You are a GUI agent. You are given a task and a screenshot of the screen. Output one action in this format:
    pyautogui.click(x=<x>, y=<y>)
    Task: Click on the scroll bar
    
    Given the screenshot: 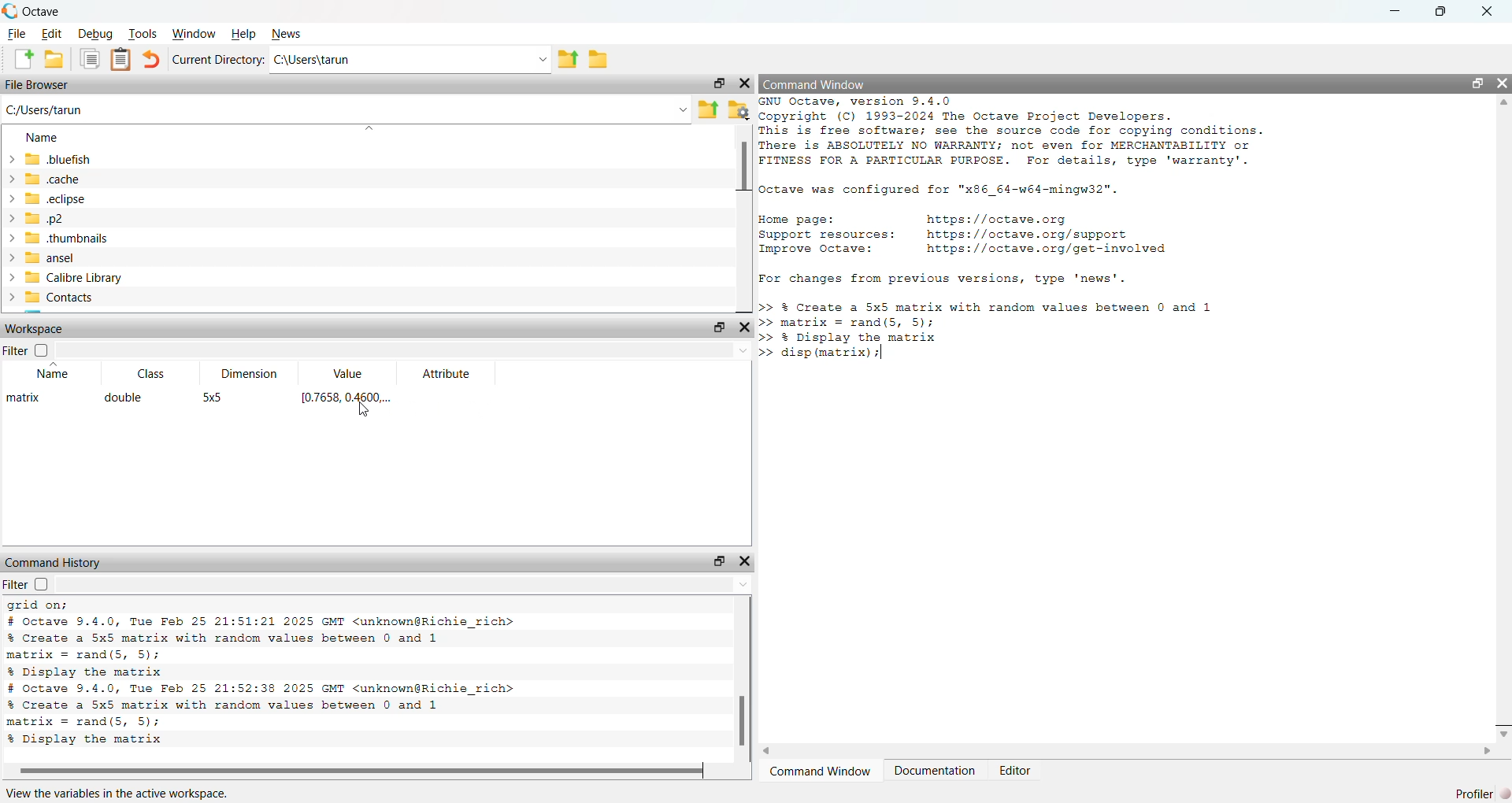 What is the action you would take?
    pyautogui.click(x=739, y=676)
    